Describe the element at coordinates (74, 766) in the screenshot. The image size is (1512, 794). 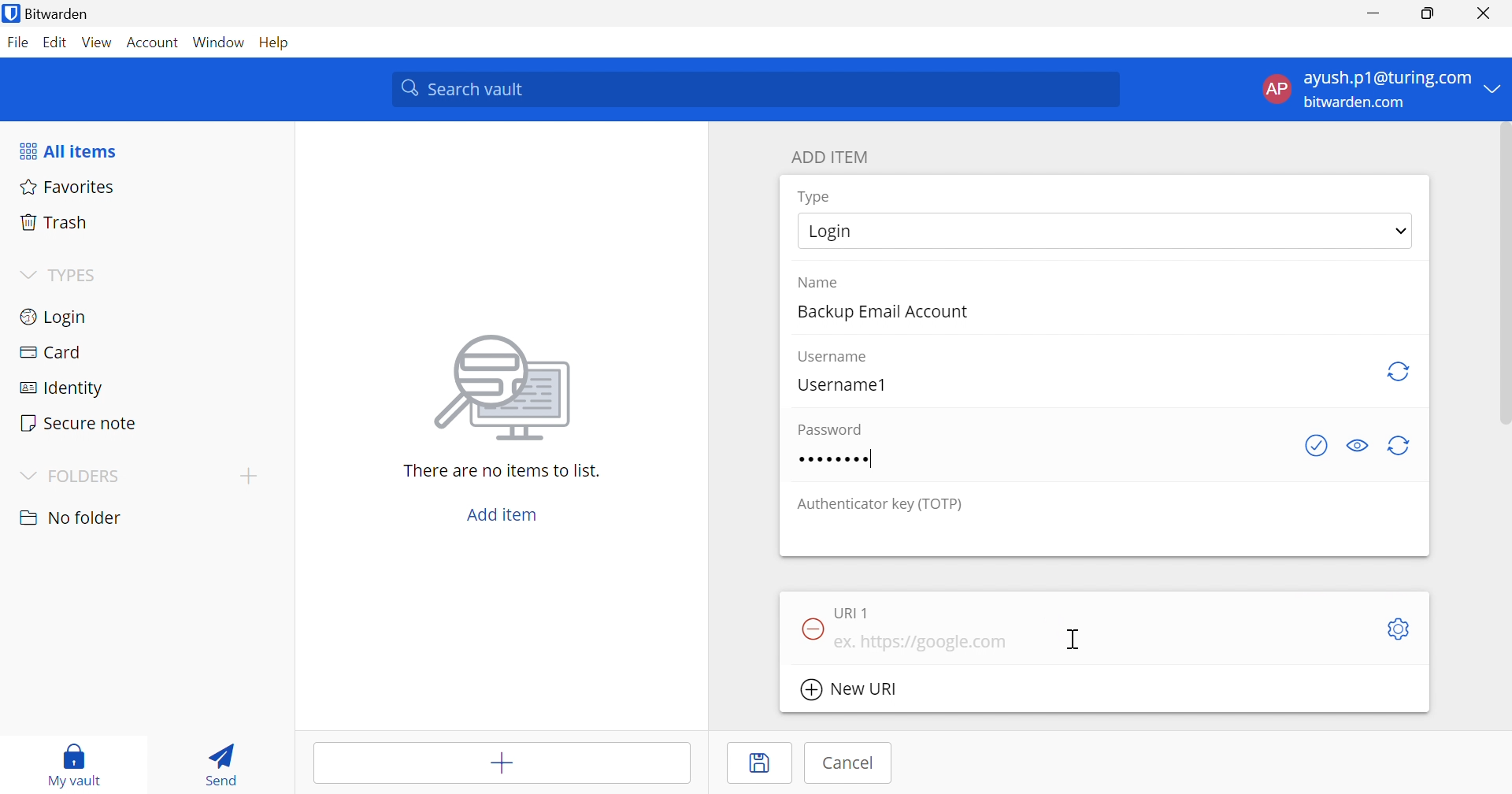
I see `My vault` at that location.